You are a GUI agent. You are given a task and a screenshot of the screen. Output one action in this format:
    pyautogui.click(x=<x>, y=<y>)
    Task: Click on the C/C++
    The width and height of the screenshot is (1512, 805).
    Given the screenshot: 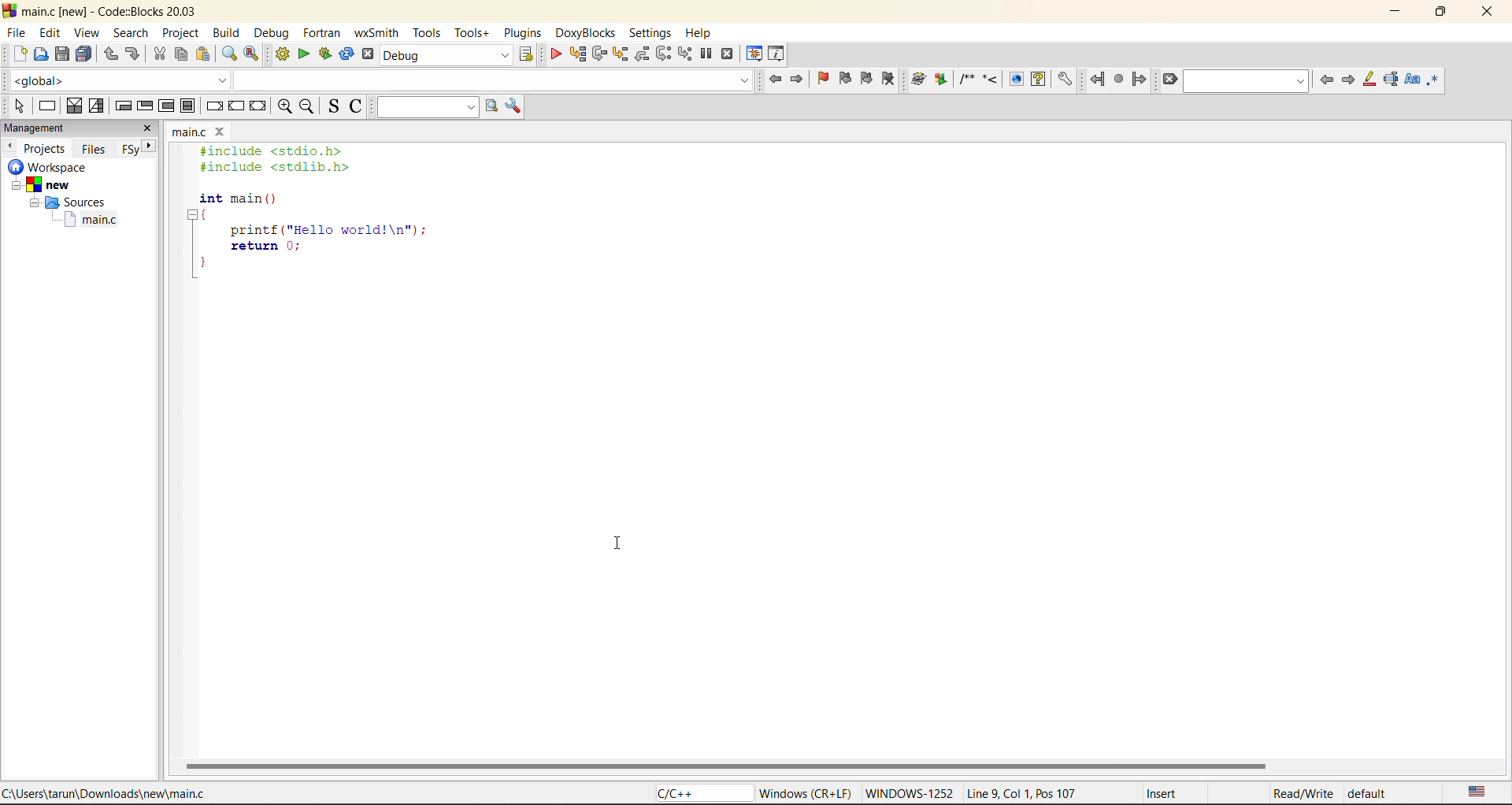 What is the action you would take?
    pyautogui.click(x=698, y=792)
    